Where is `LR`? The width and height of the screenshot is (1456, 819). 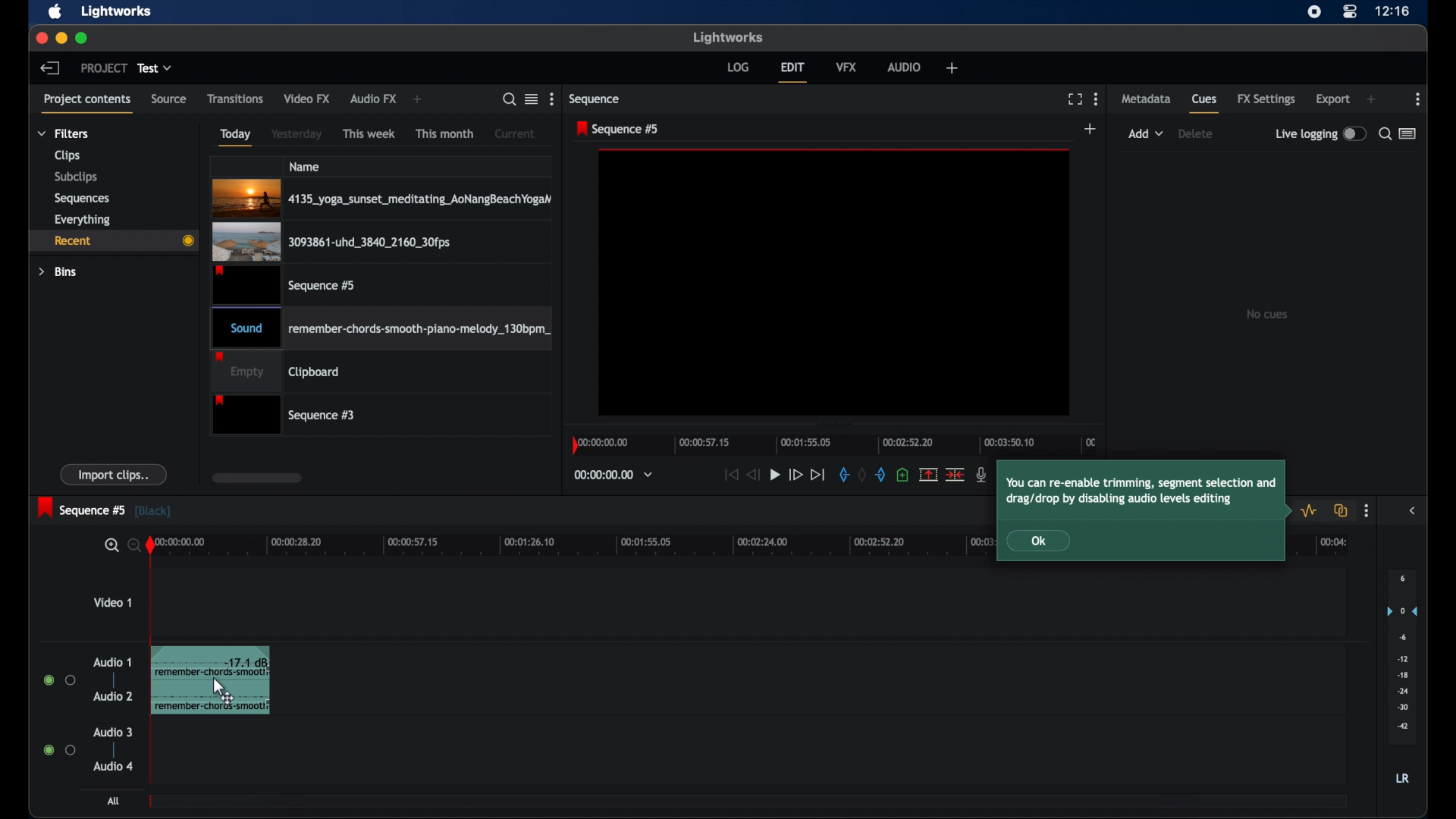
LR is located at coordinates (1402, 778).